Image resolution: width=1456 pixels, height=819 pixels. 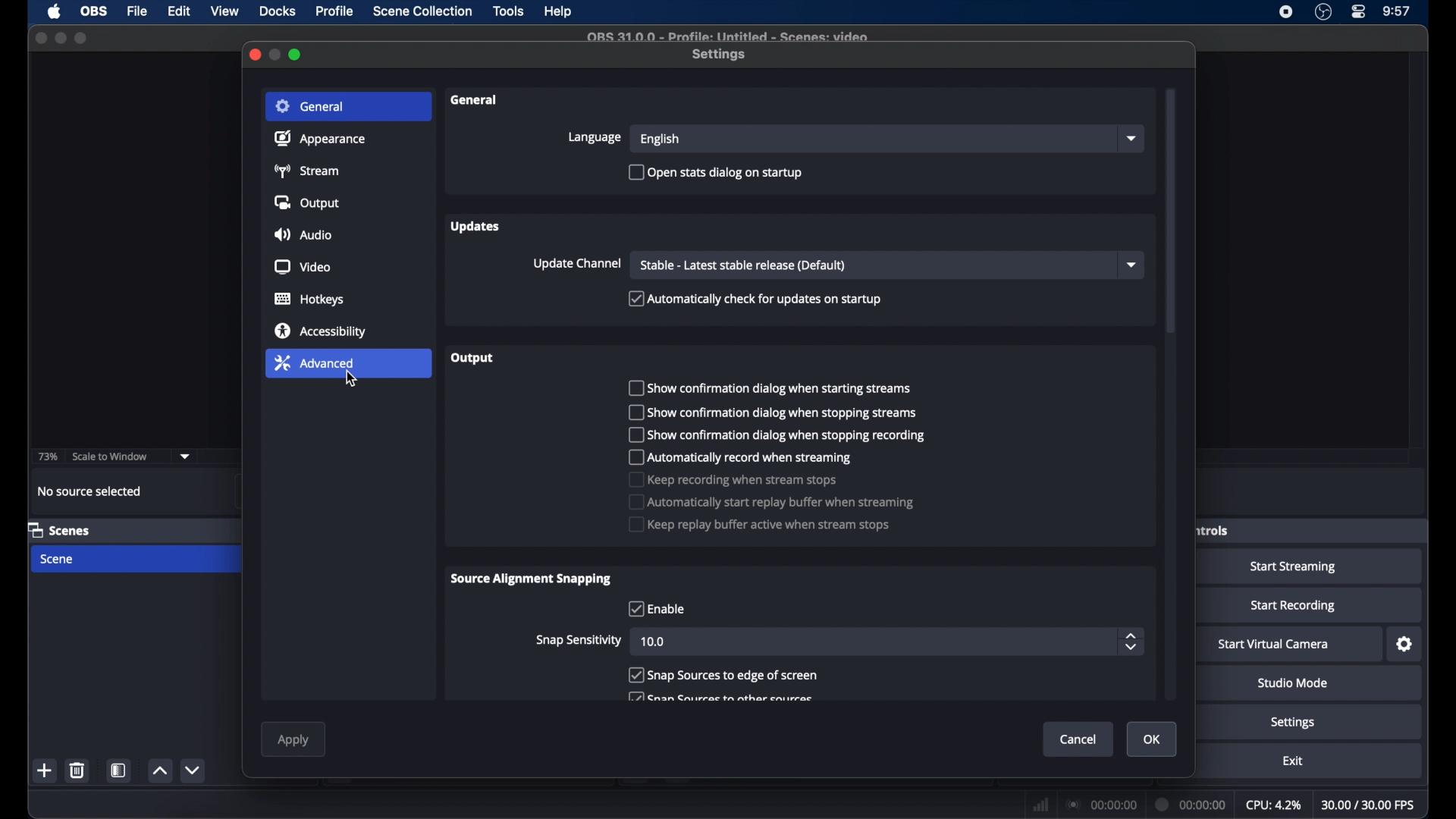 I want to click on scenes, so click(x=60, y=529).